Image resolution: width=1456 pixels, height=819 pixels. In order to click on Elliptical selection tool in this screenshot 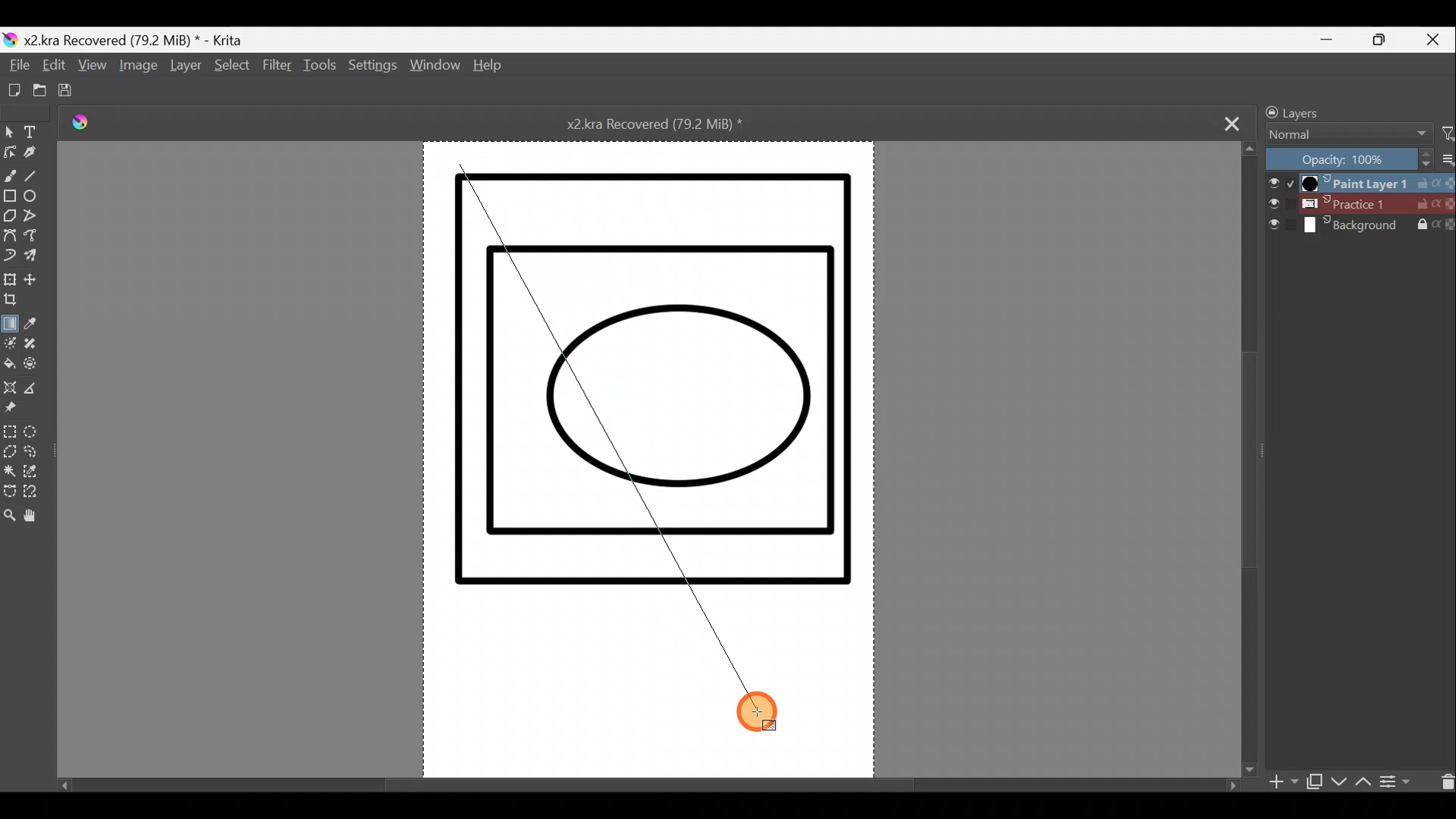, I will do `click(35, 434)`.